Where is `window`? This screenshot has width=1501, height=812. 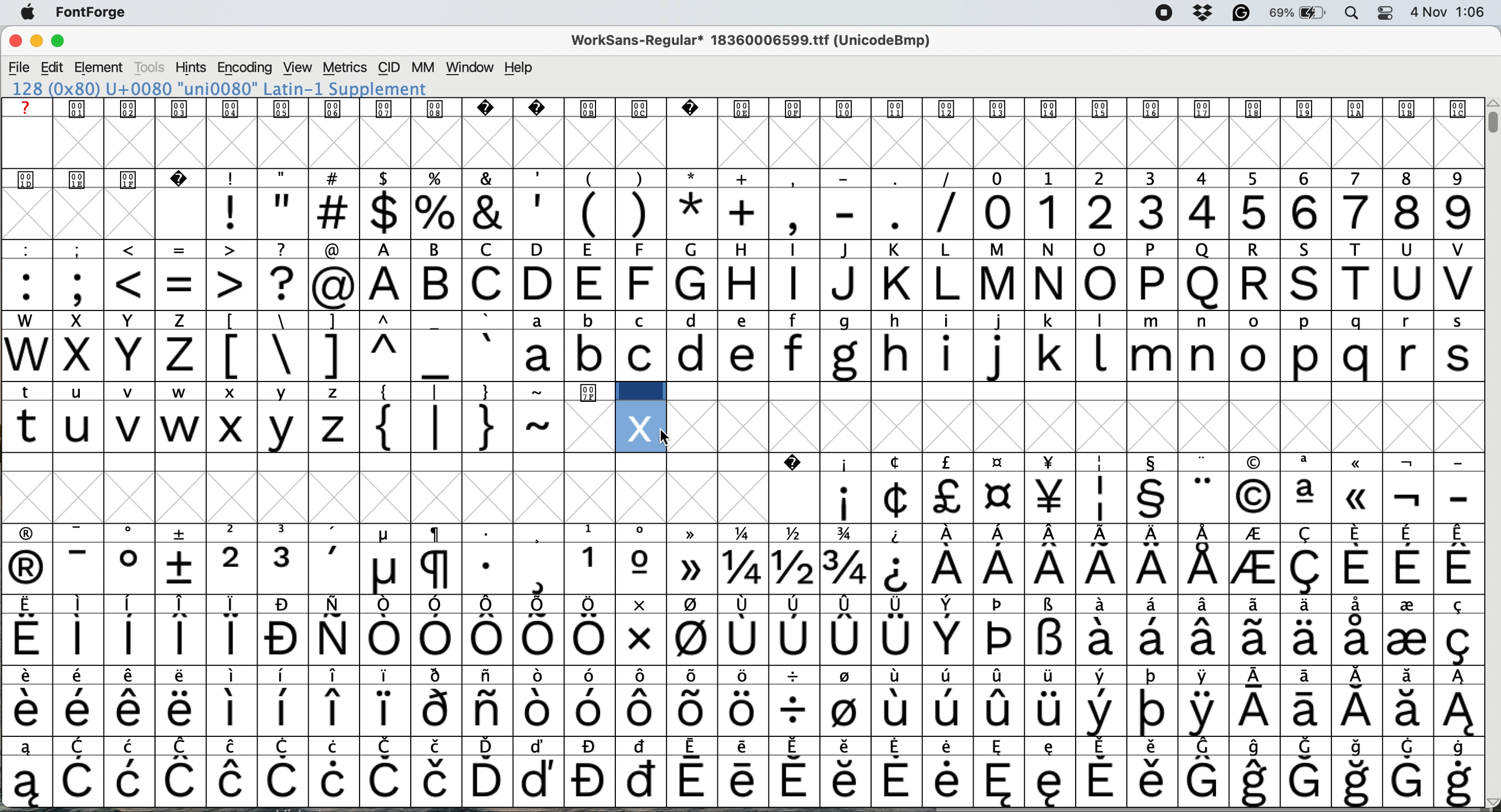 window is located at coordinates (469, 68).